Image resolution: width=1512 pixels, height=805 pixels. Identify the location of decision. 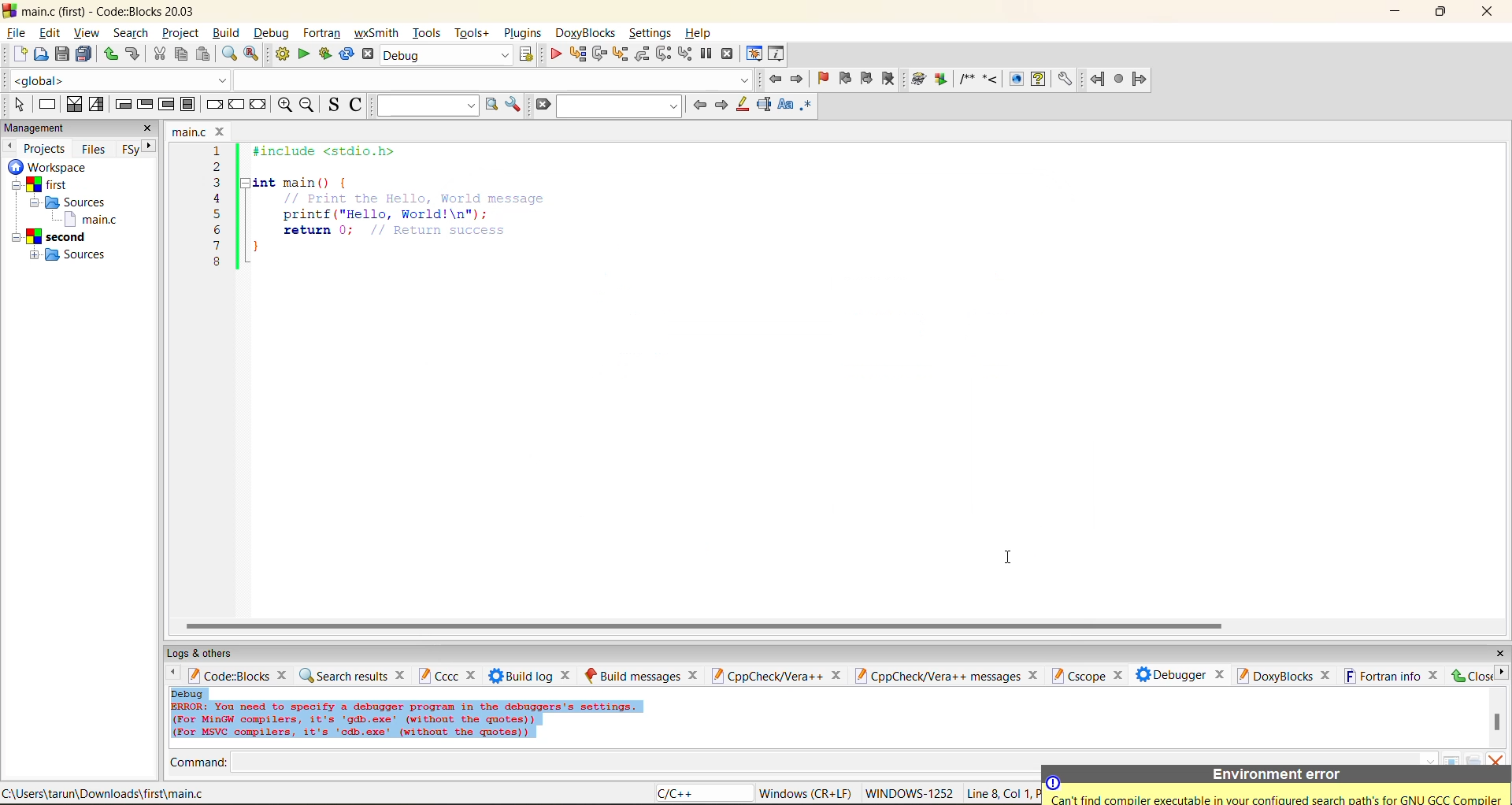
(73, 104).